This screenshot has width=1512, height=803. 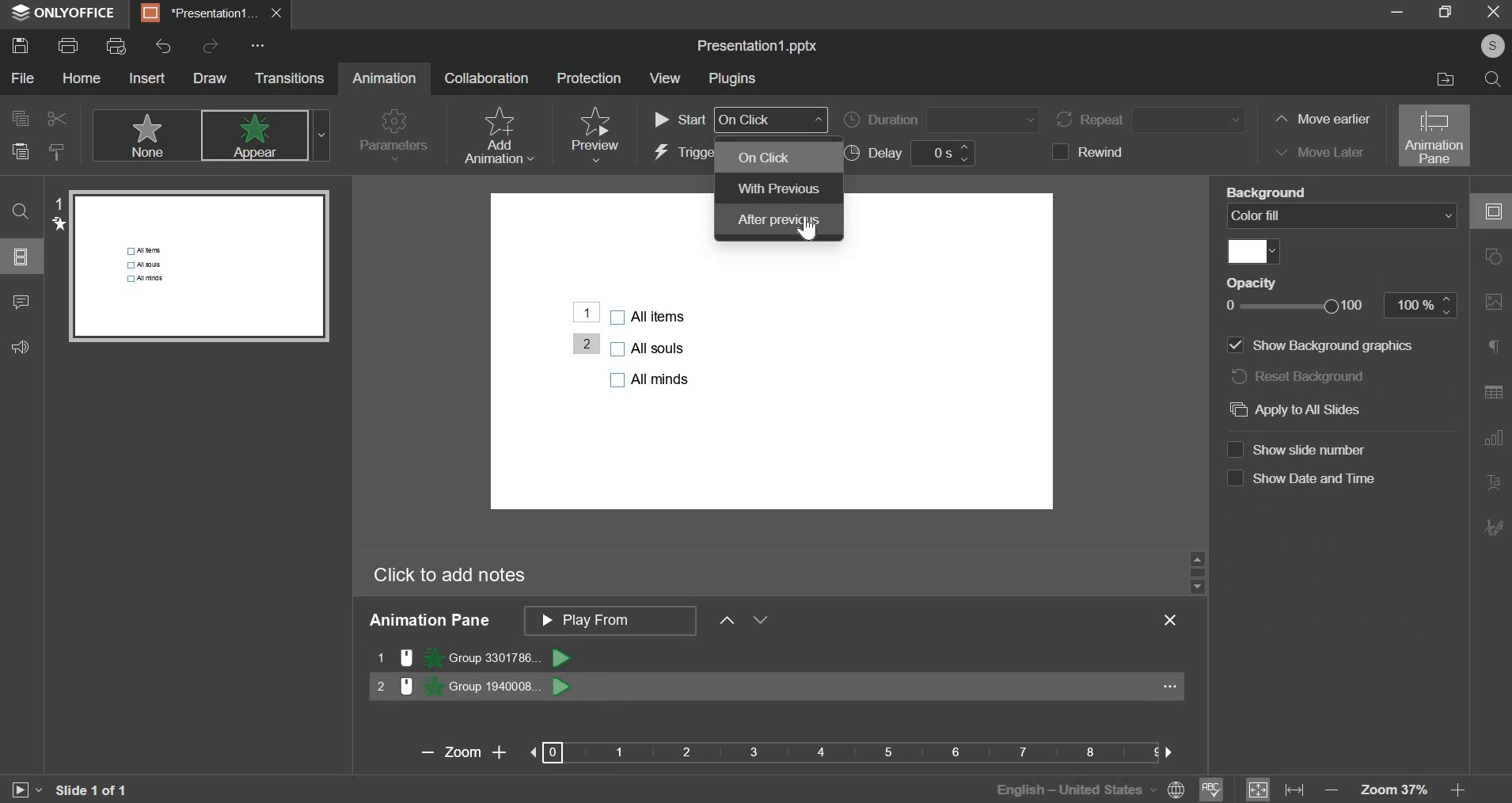 I want to click on trigger, so click(x=683, y=154).